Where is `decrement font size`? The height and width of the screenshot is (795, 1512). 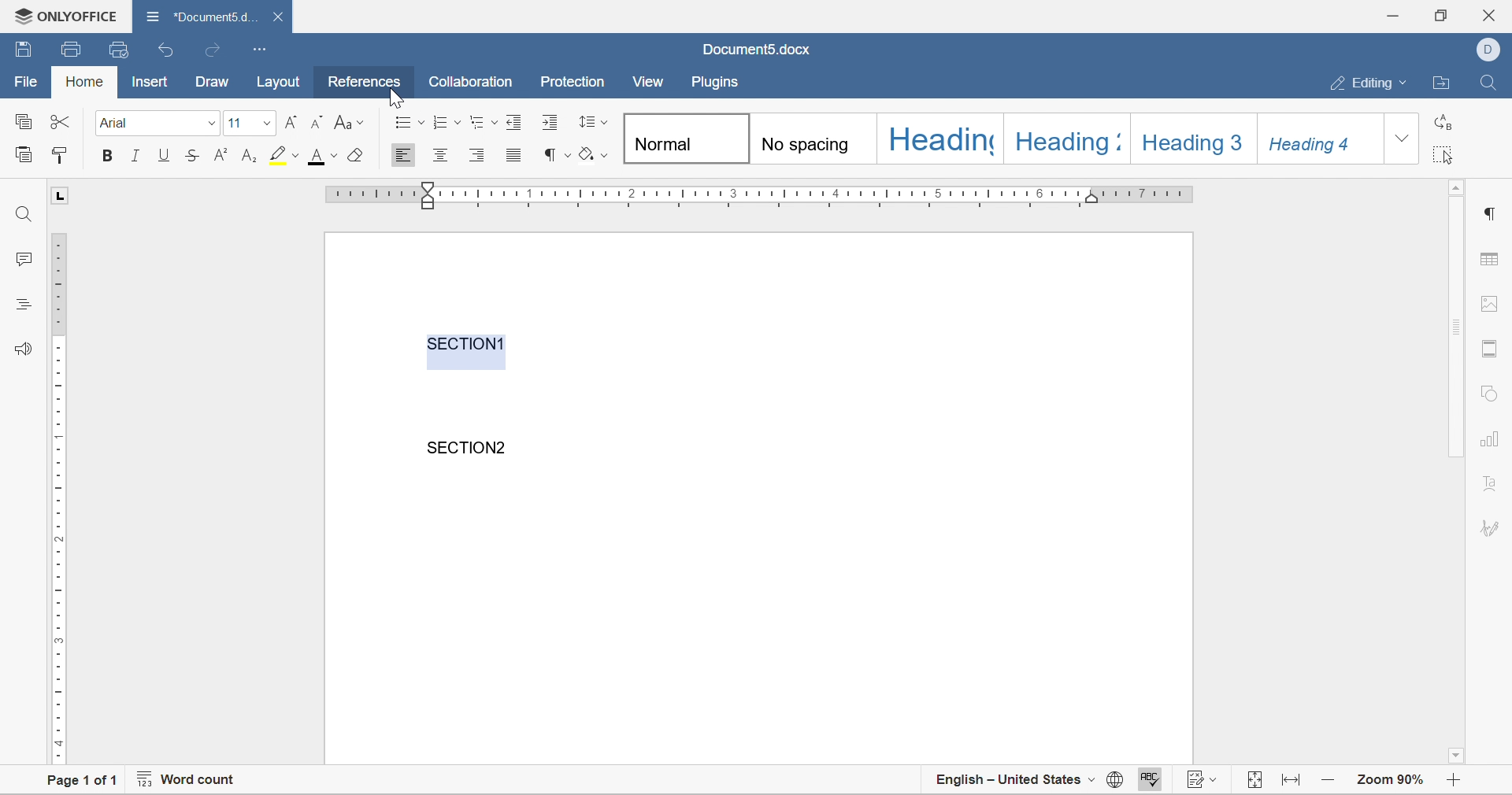
decrement font size is located at coordinates (317, 122).